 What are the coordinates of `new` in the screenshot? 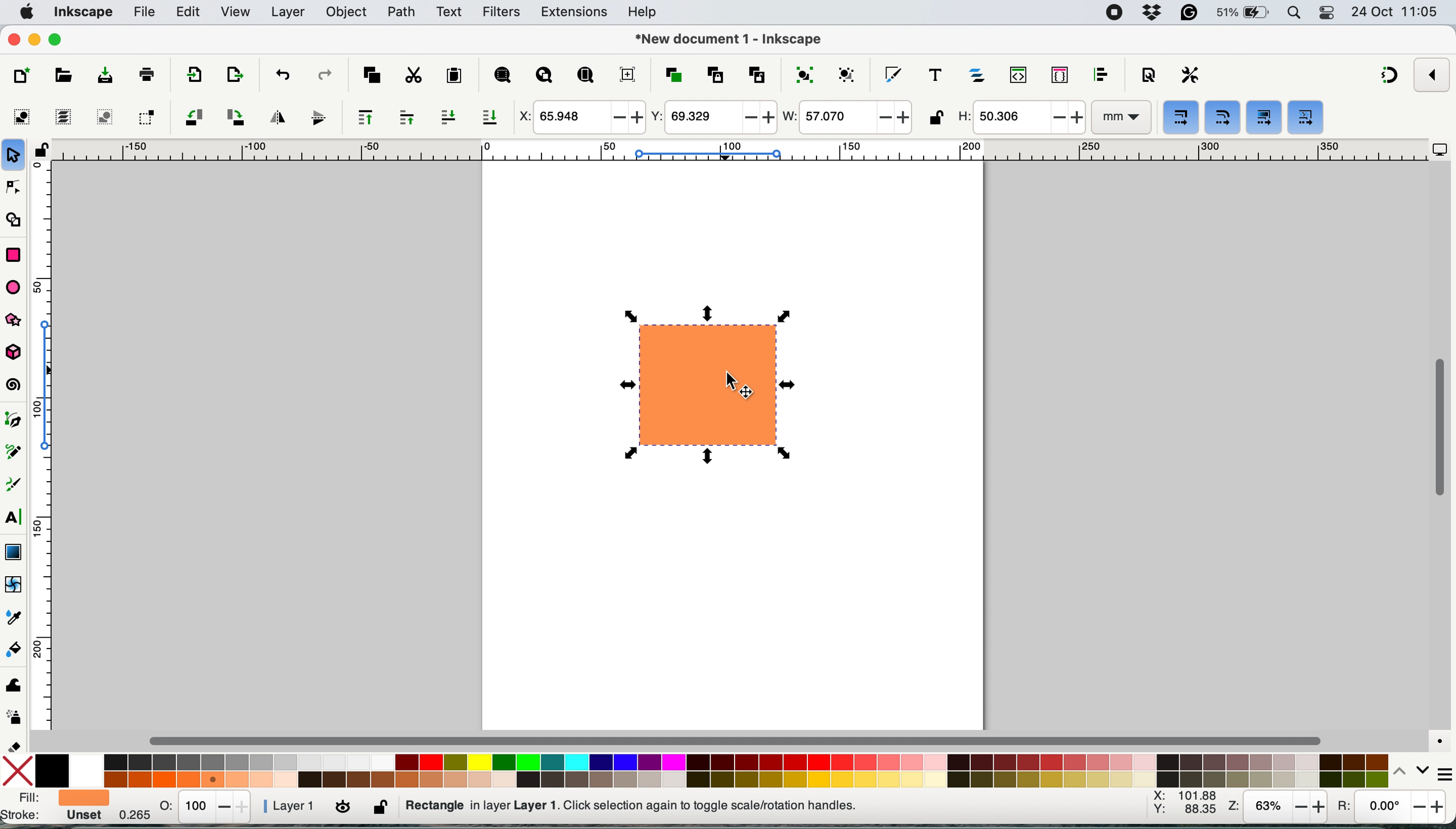 It's located at (24, 76).